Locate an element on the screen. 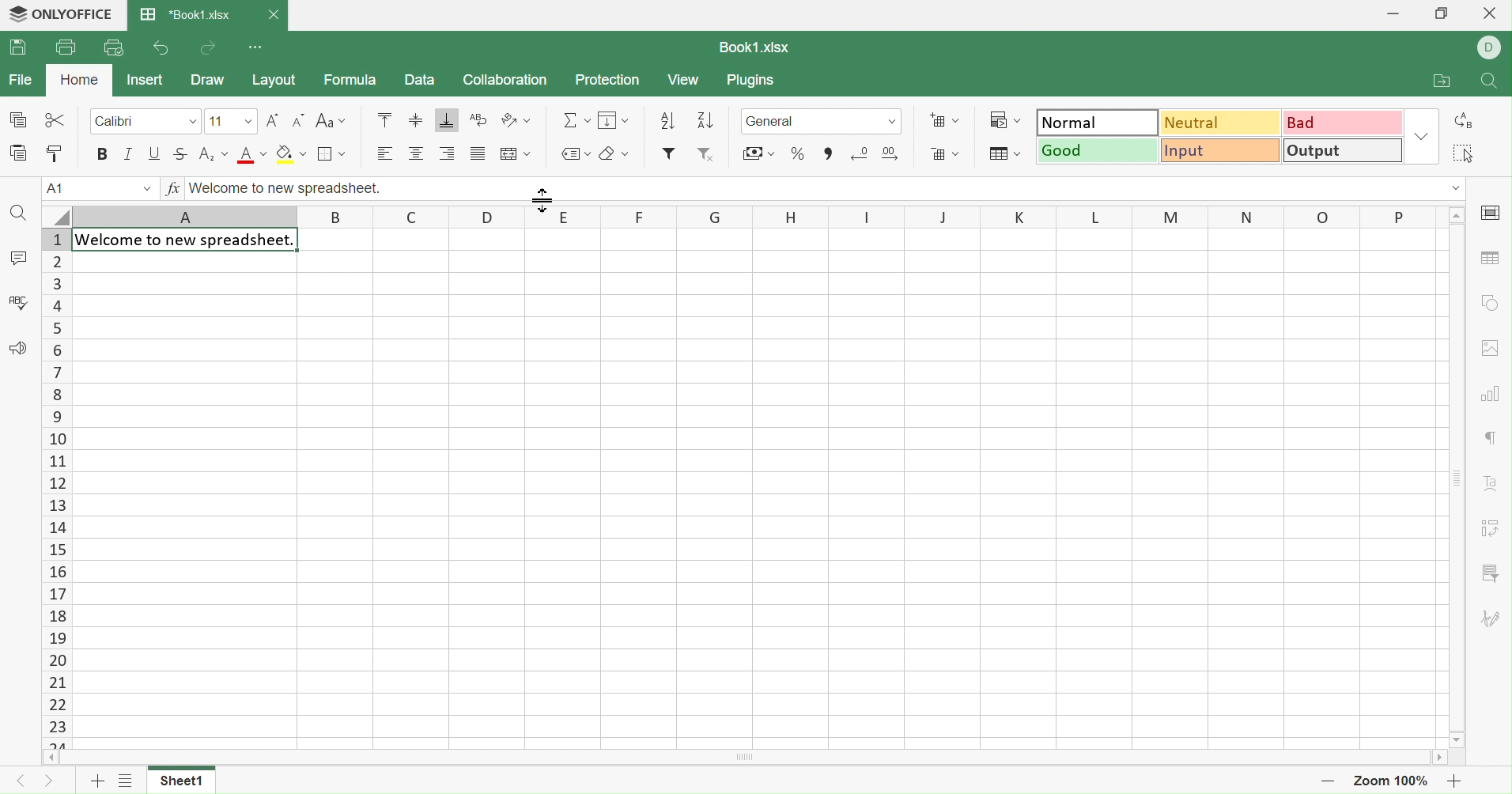 The image size is (1512, 794). Zoom Out is located at coordinates (1328, 785).